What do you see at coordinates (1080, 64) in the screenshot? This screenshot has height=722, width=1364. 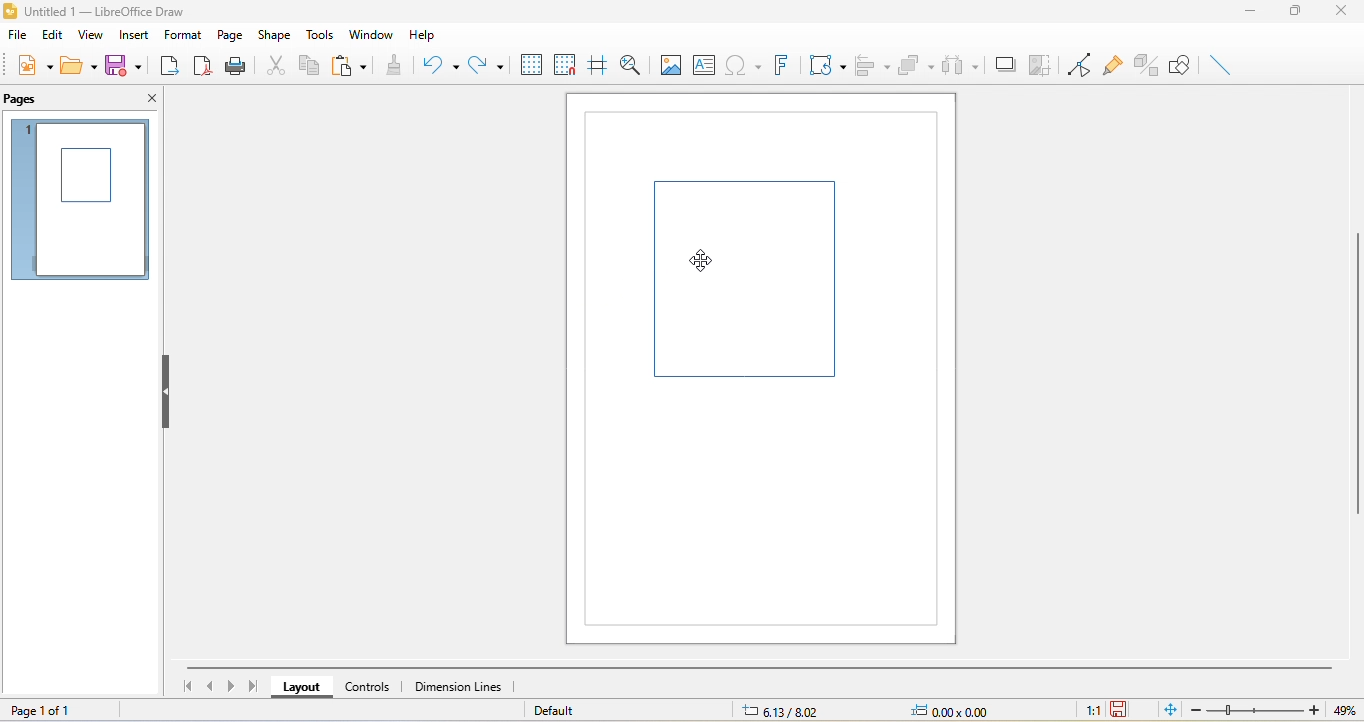 I see `toggle point edit mode` at bounding box center [1080, 64].